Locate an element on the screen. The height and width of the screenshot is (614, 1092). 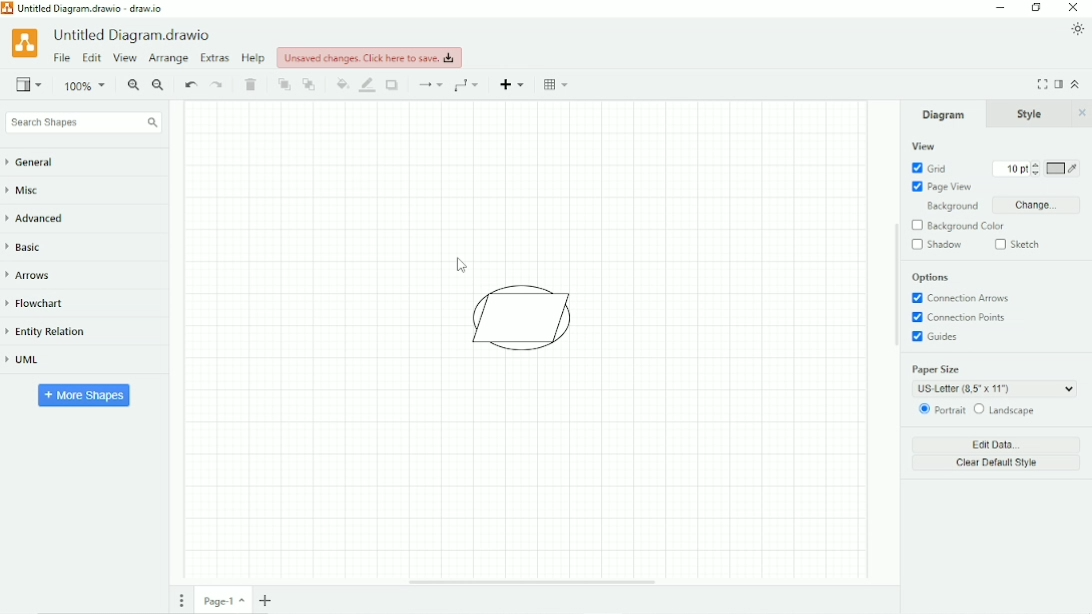
UML is located at coordinates (31, 361).